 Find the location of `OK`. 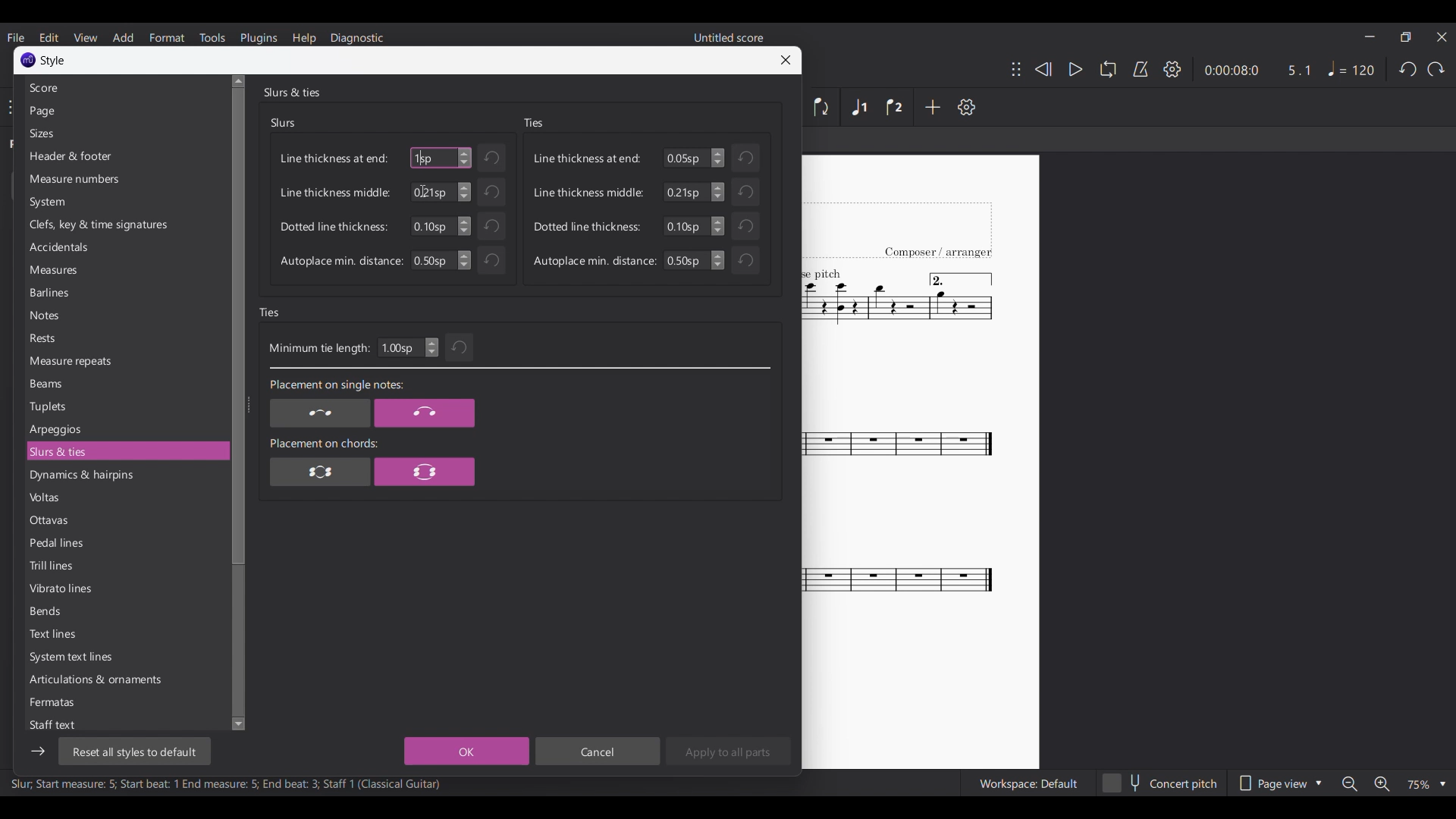

OK is located at coordinates (466, 751).